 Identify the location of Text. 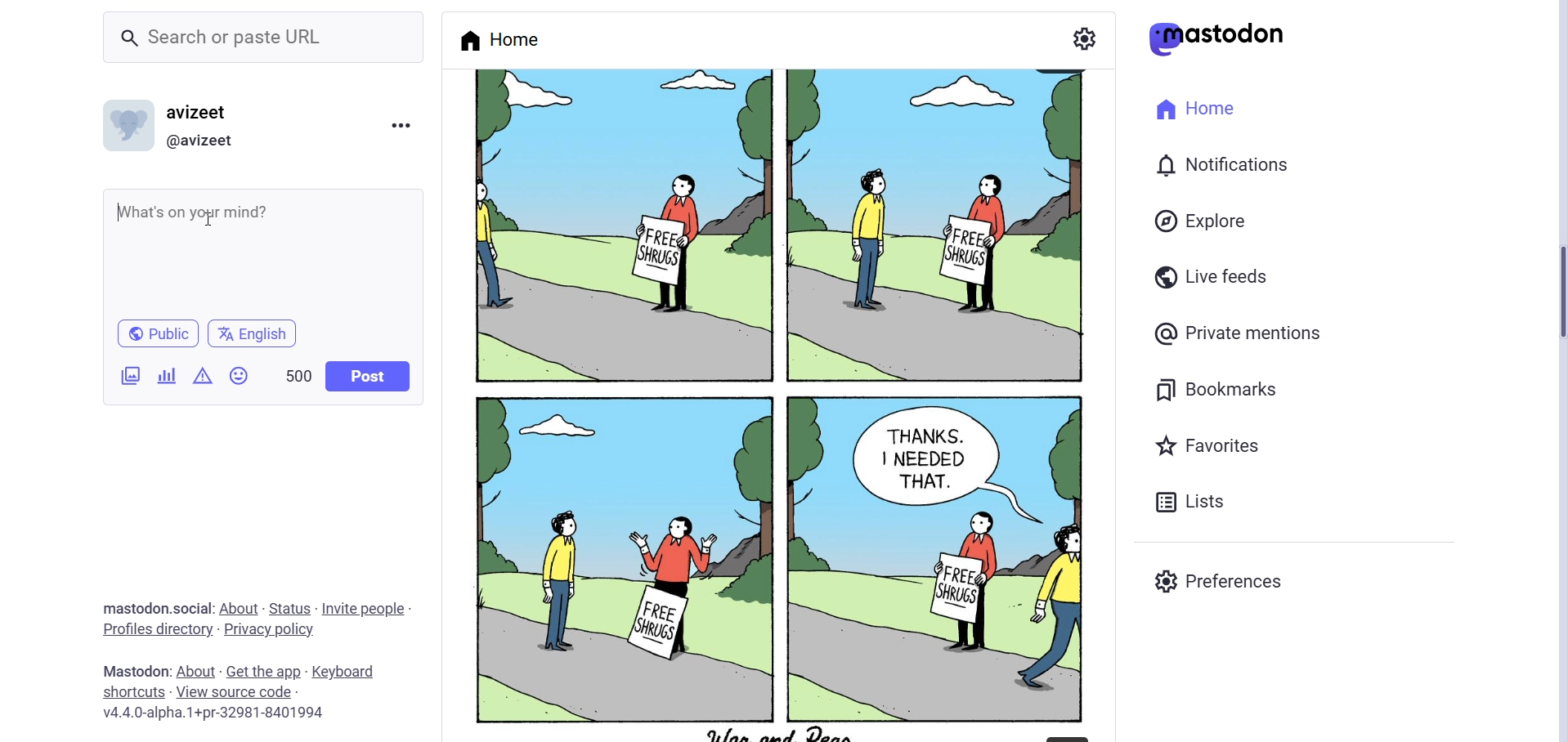
(133, 670).